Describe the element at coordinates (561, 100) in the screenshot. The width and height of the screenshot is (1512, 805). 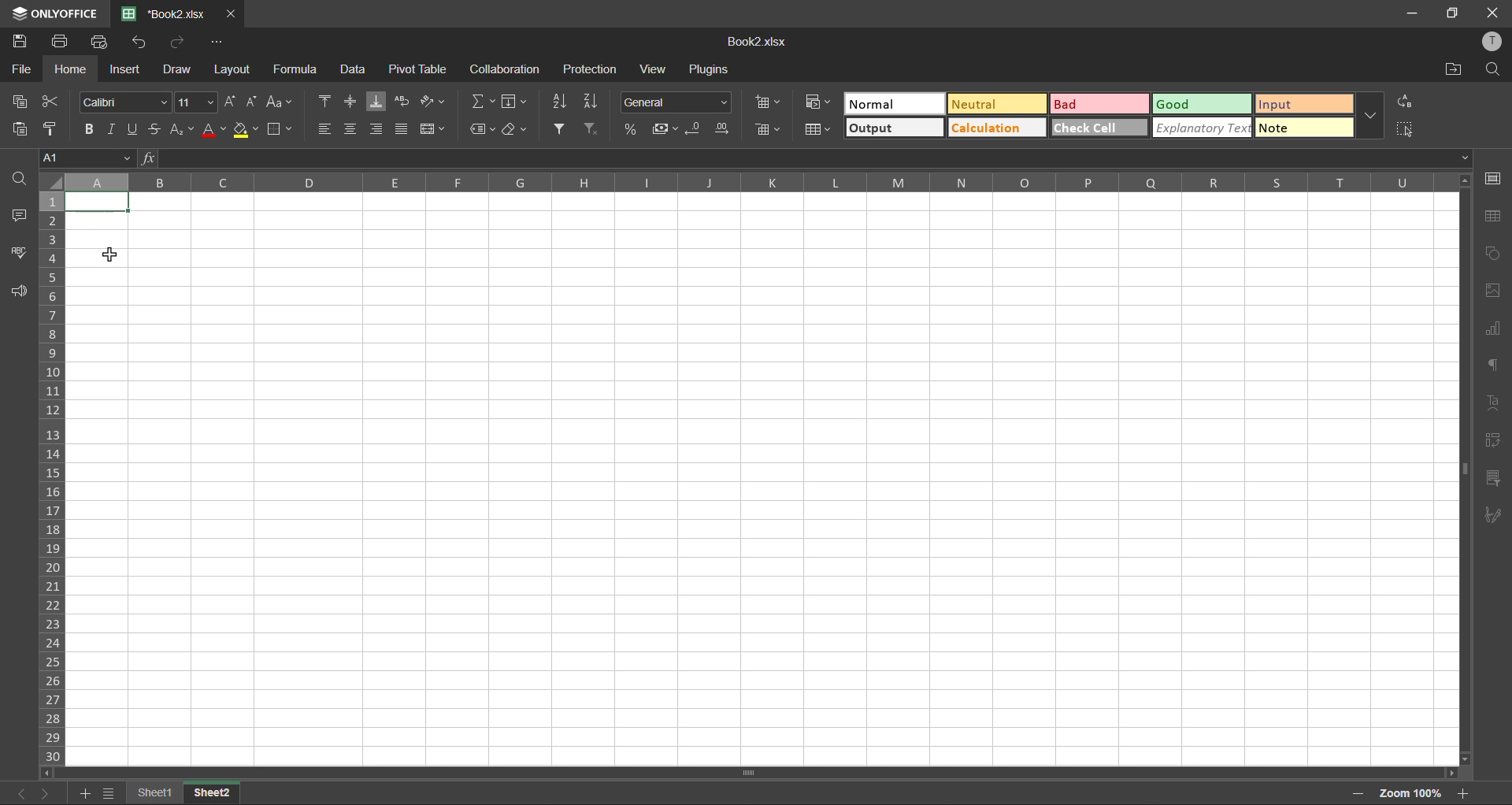
I see `sort ascending` at that location.